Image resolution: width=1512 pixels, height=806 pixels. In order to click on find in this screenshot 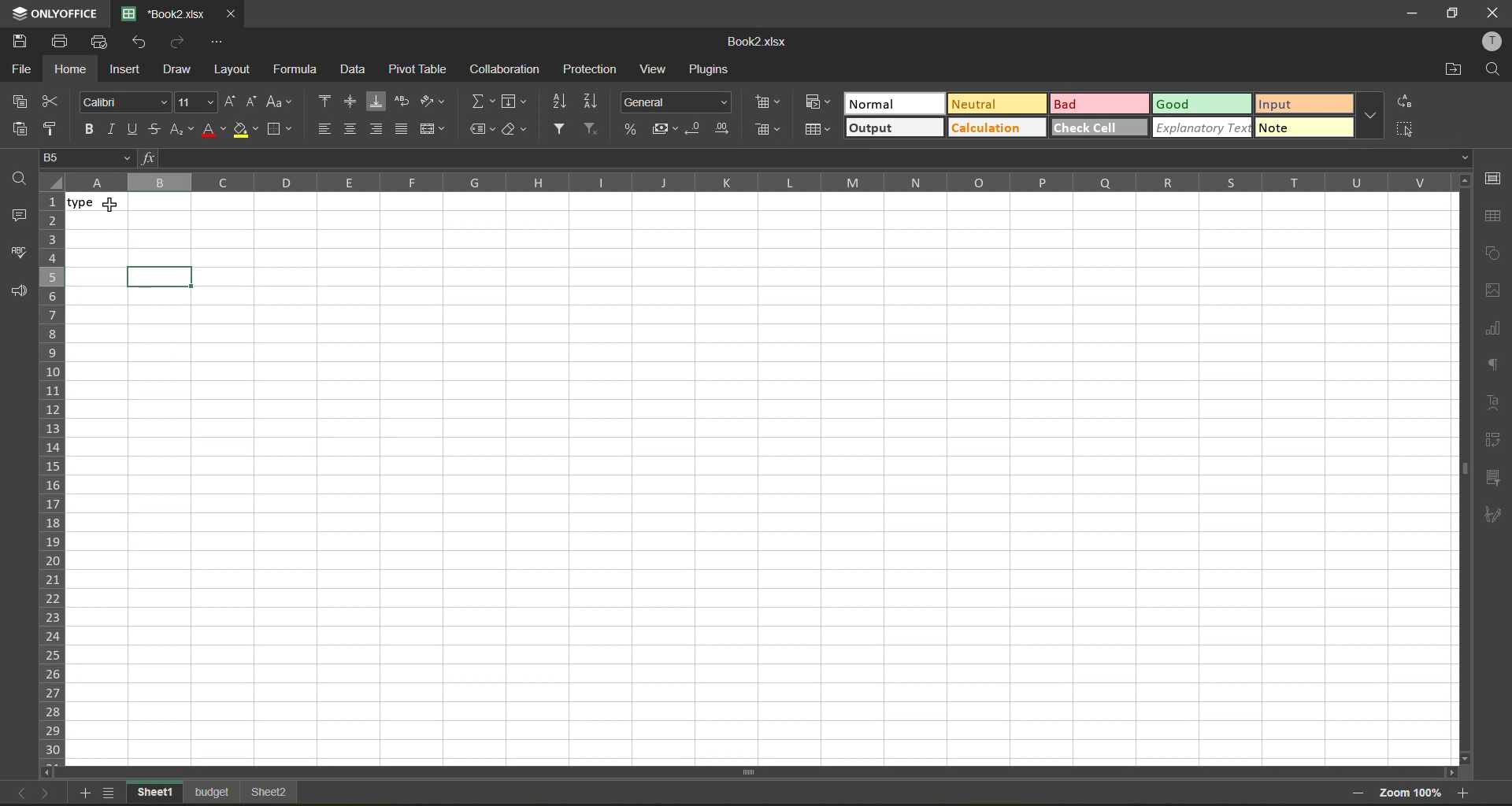, I will do `click(24, 177)`.